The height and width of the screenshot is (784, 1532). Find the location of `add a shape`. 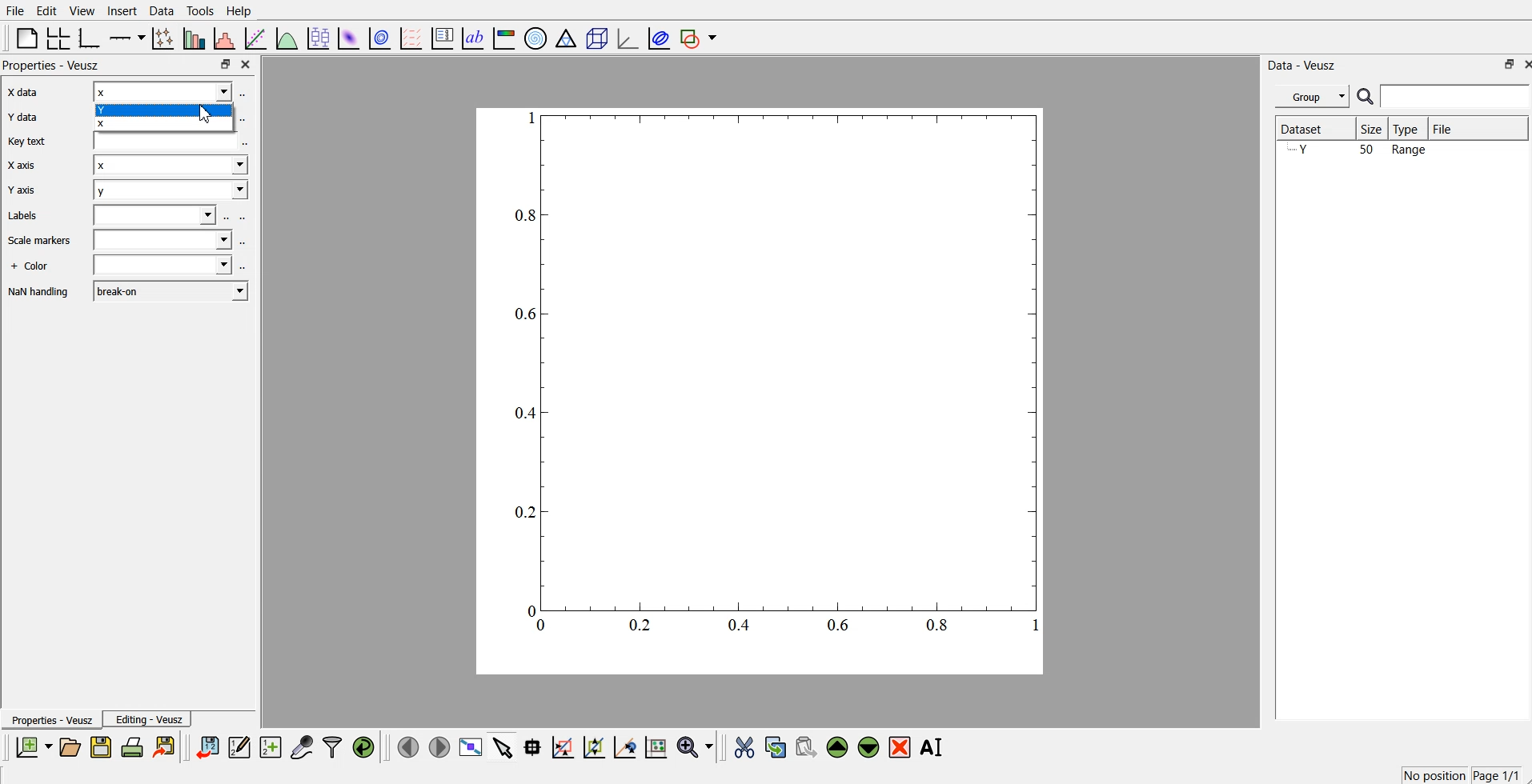

add a shape is located at coordinates (700, 38).